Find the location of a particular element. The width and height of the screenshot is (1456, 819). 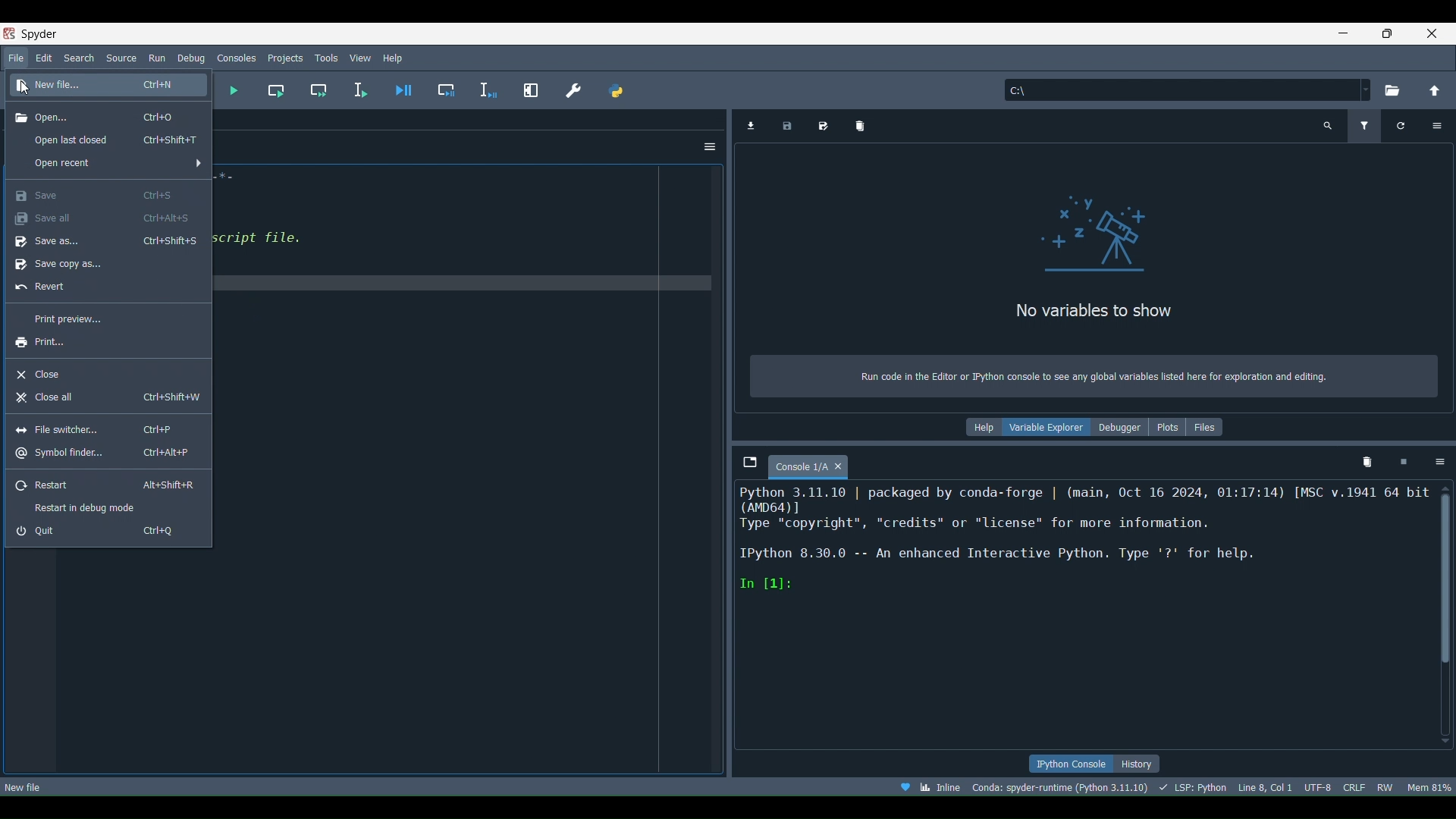

Close is located at coordinates (46, 372).